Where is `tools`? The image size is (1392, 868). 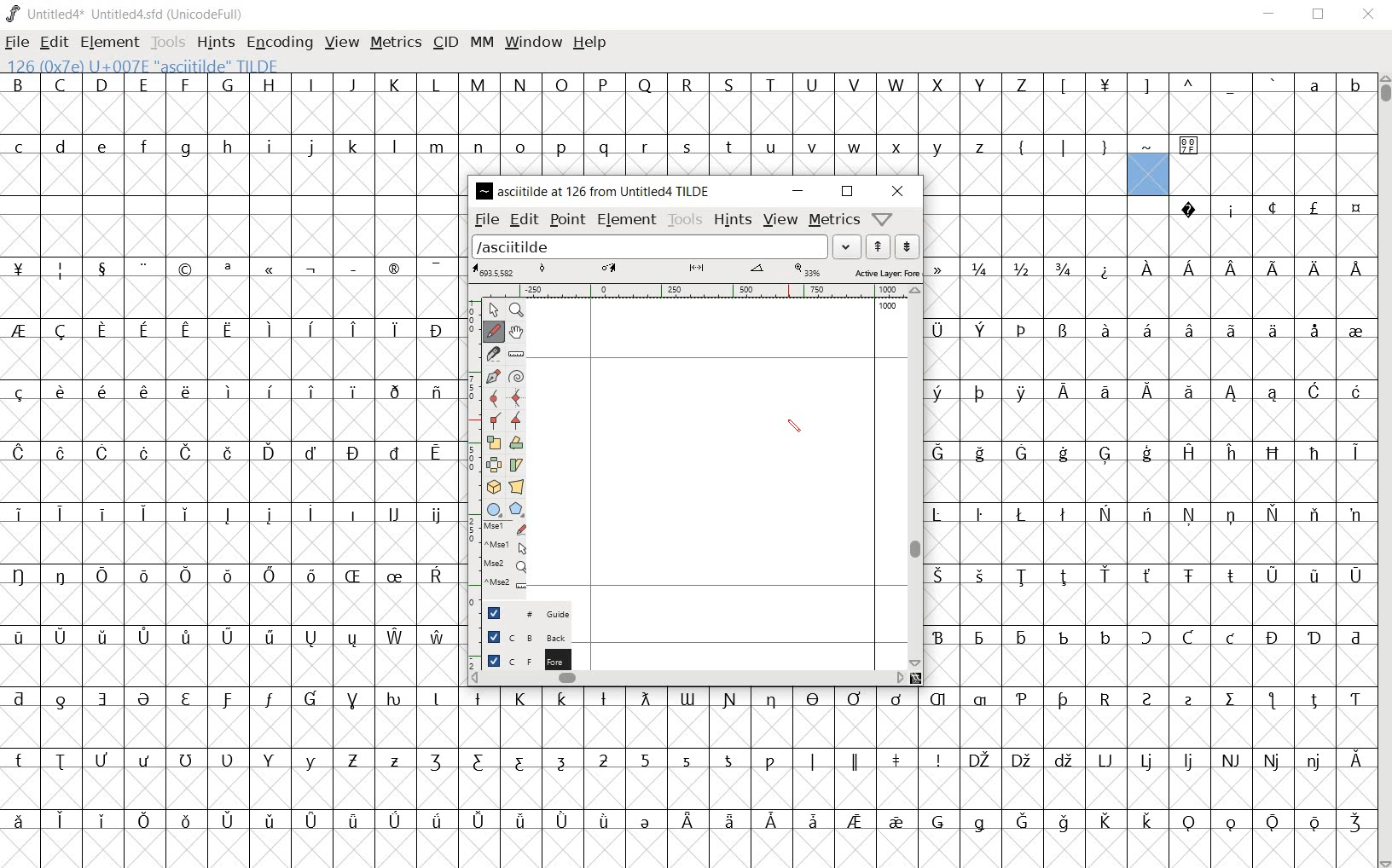
tools is located at coordinates (685, 221).